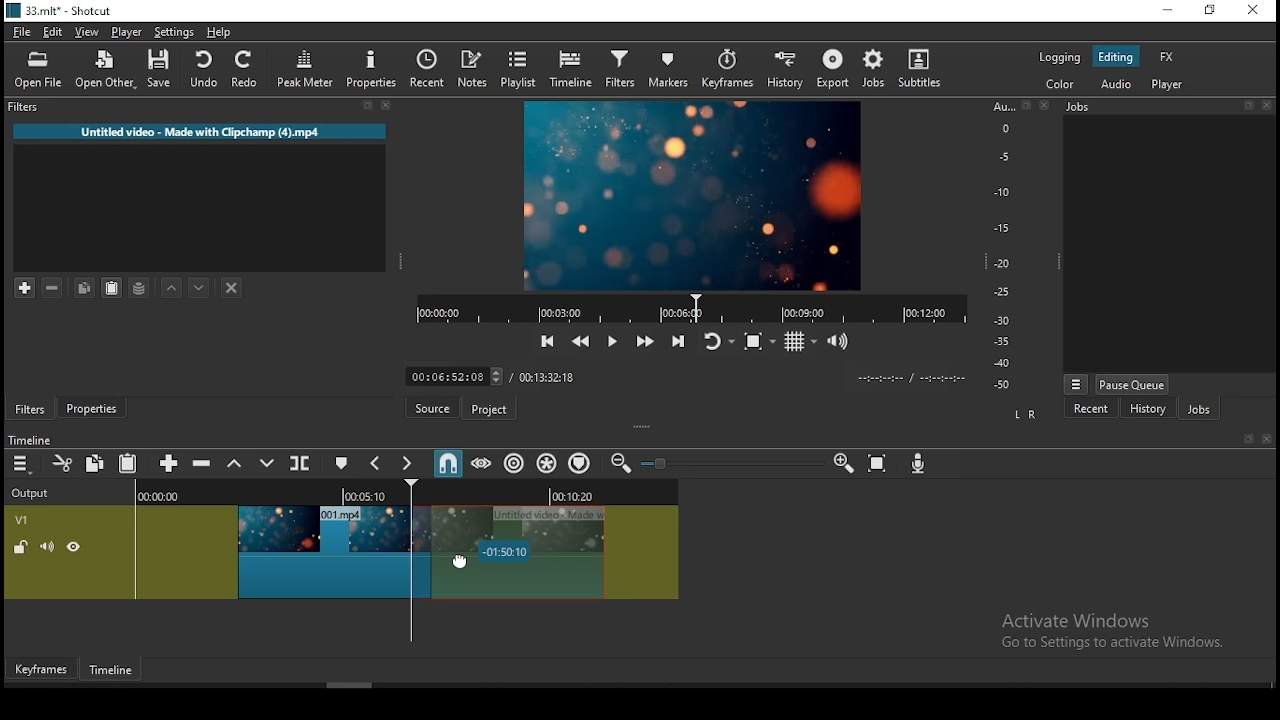  Describe the element at coordinates (583, 342) in the screenshot. I see `play quickly backward` at that location.